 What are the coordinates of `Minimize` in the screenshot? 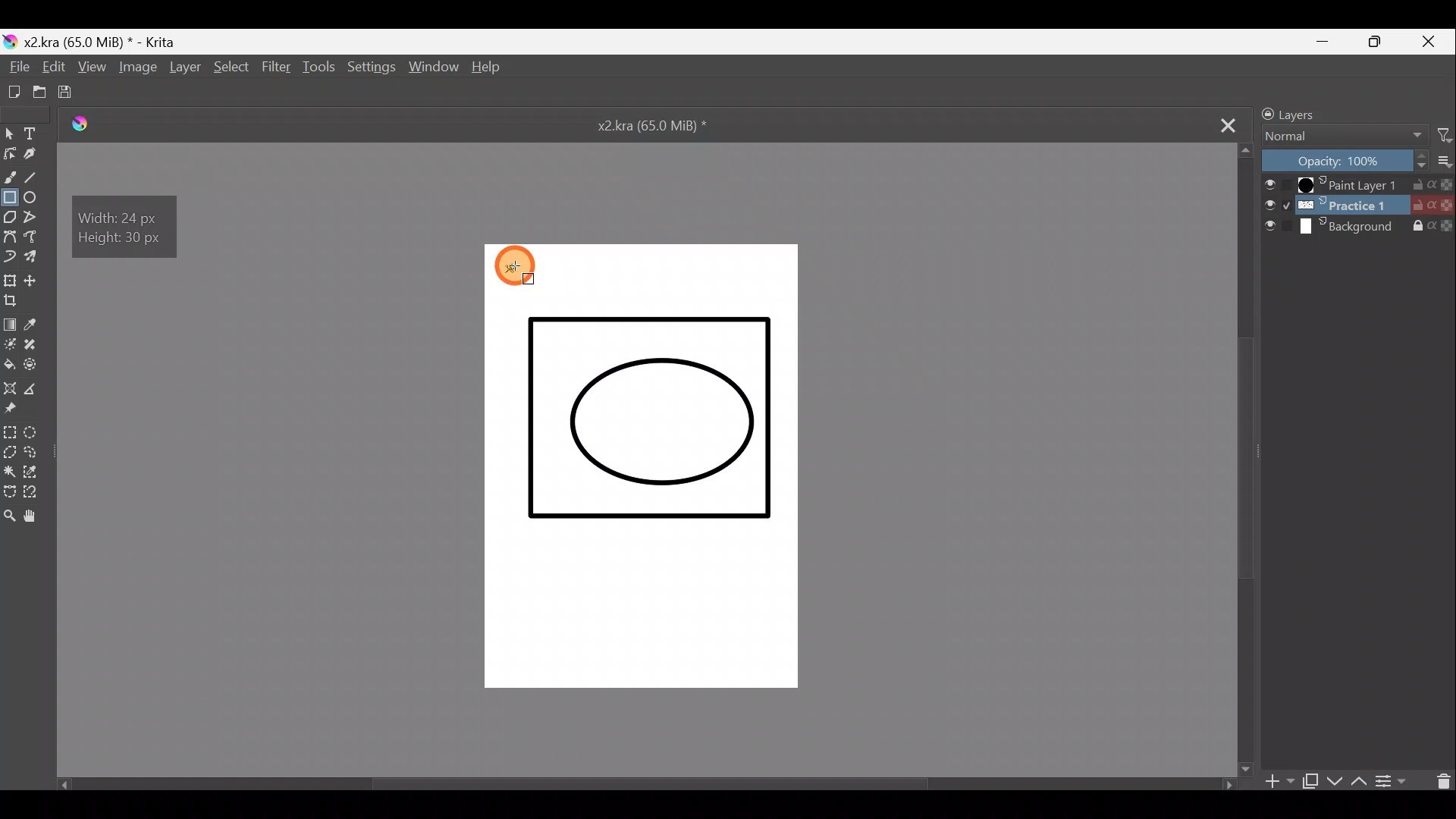 It's located at (1317, 40).